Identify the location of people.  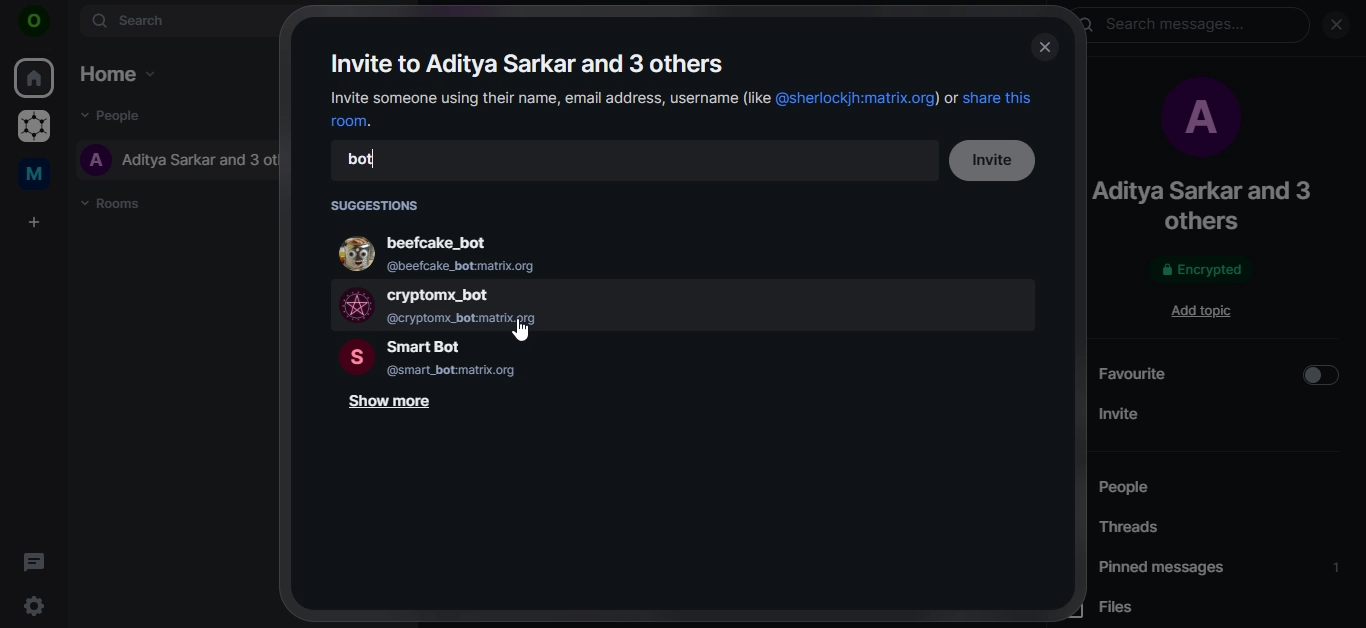
(1152, 488).